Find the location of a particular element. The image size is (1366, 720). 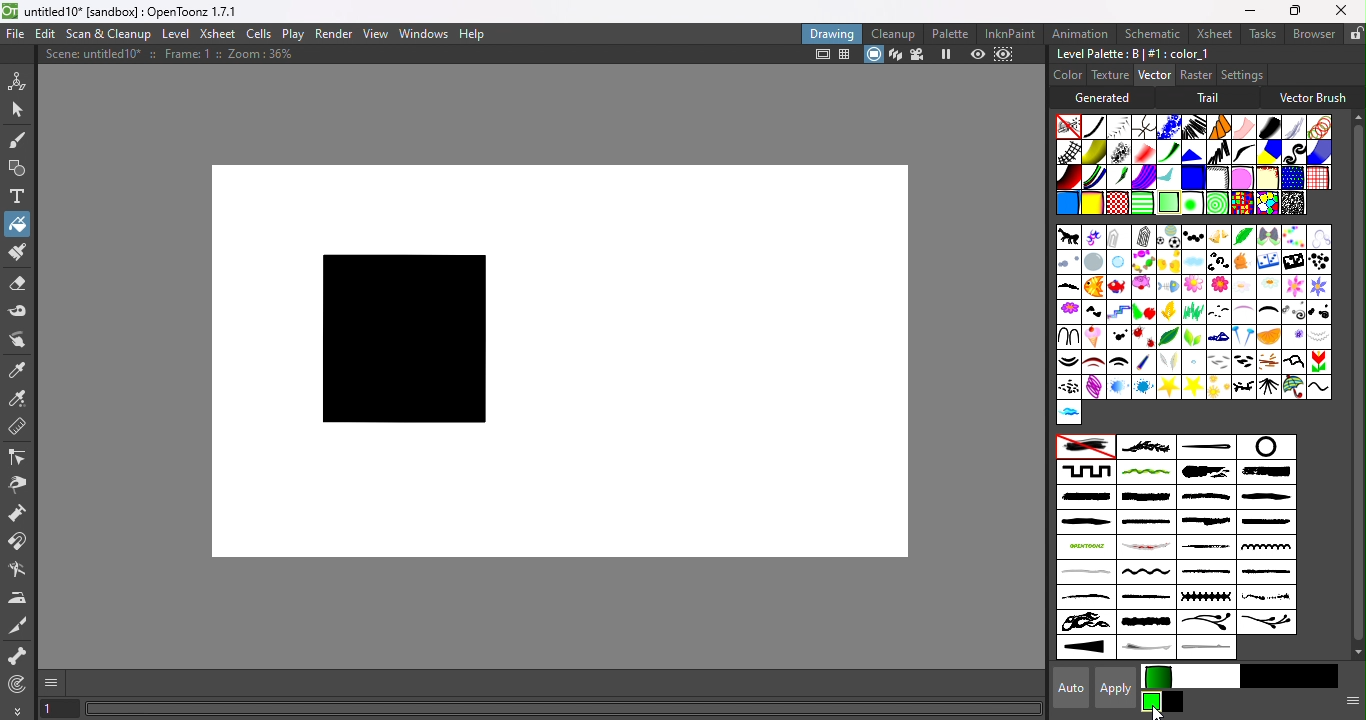

Brush tool is located at coordinates (22, 139).